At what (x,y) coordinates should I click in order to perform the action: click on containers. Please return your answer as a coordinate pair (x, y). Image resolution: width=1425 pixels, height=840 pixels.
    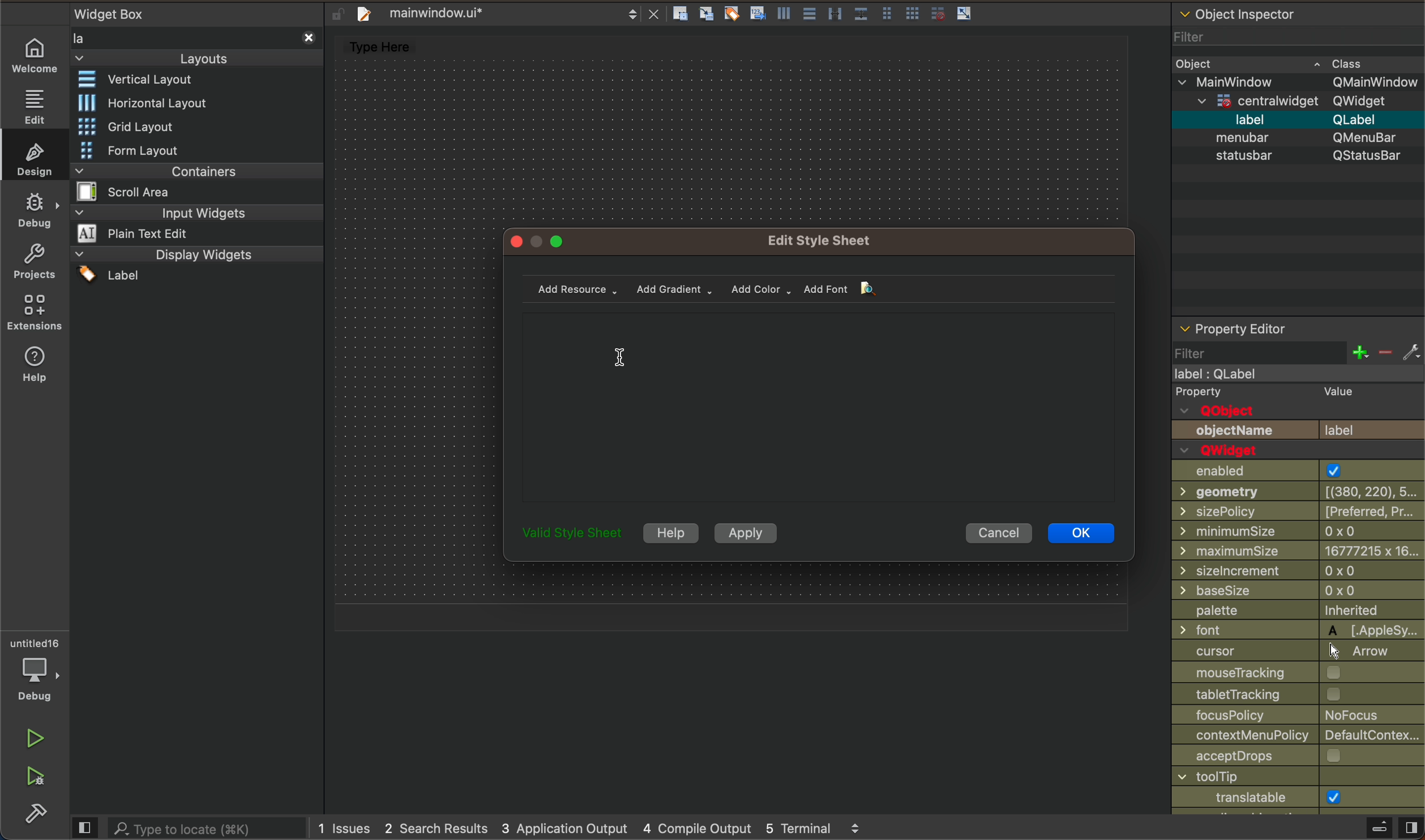
    Looking at the image, I should click on (190, 170).